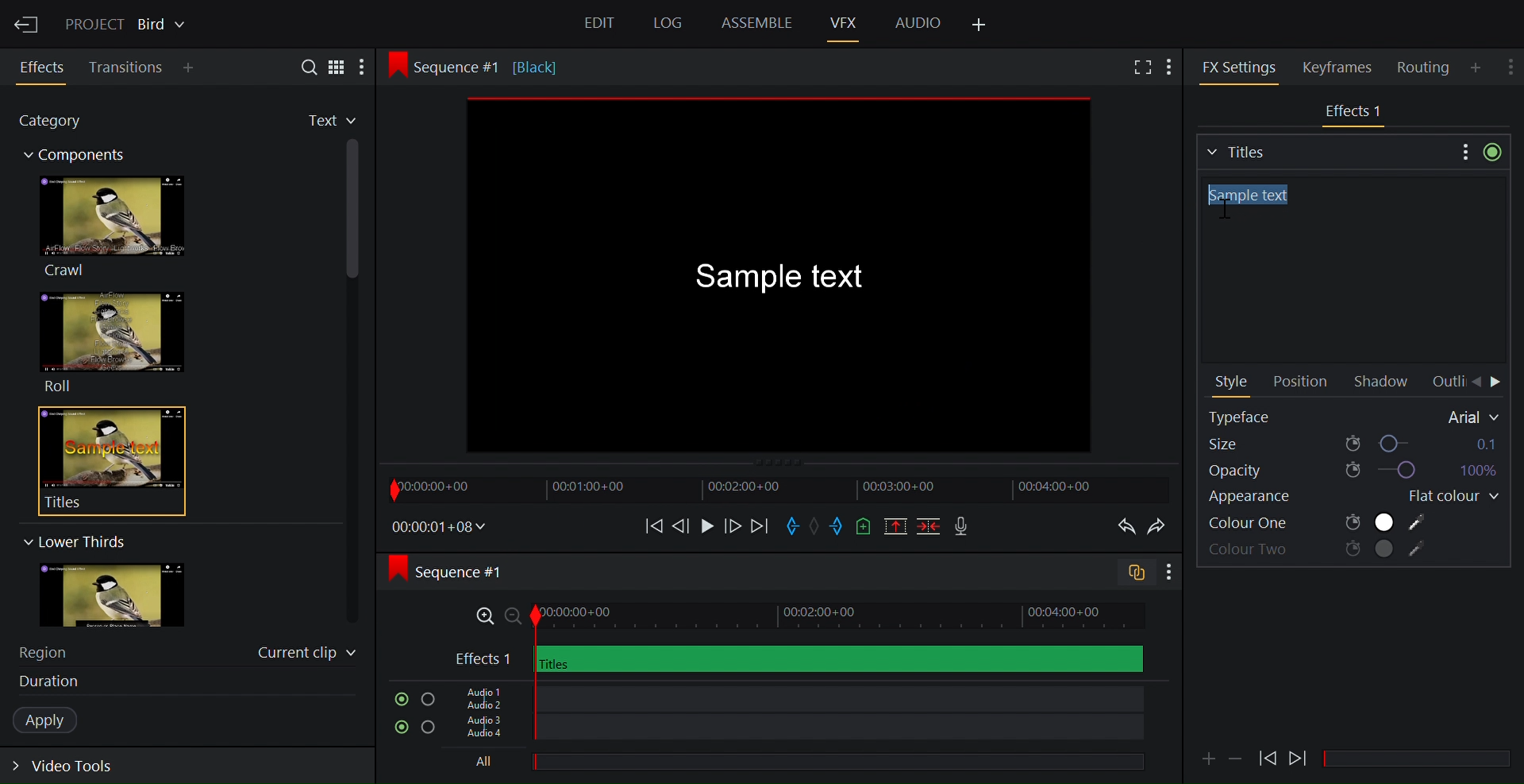  What do you see at coordinates (1160, 527) in the screenshot?
I see `Redo` at bounding box center [1160, 527].